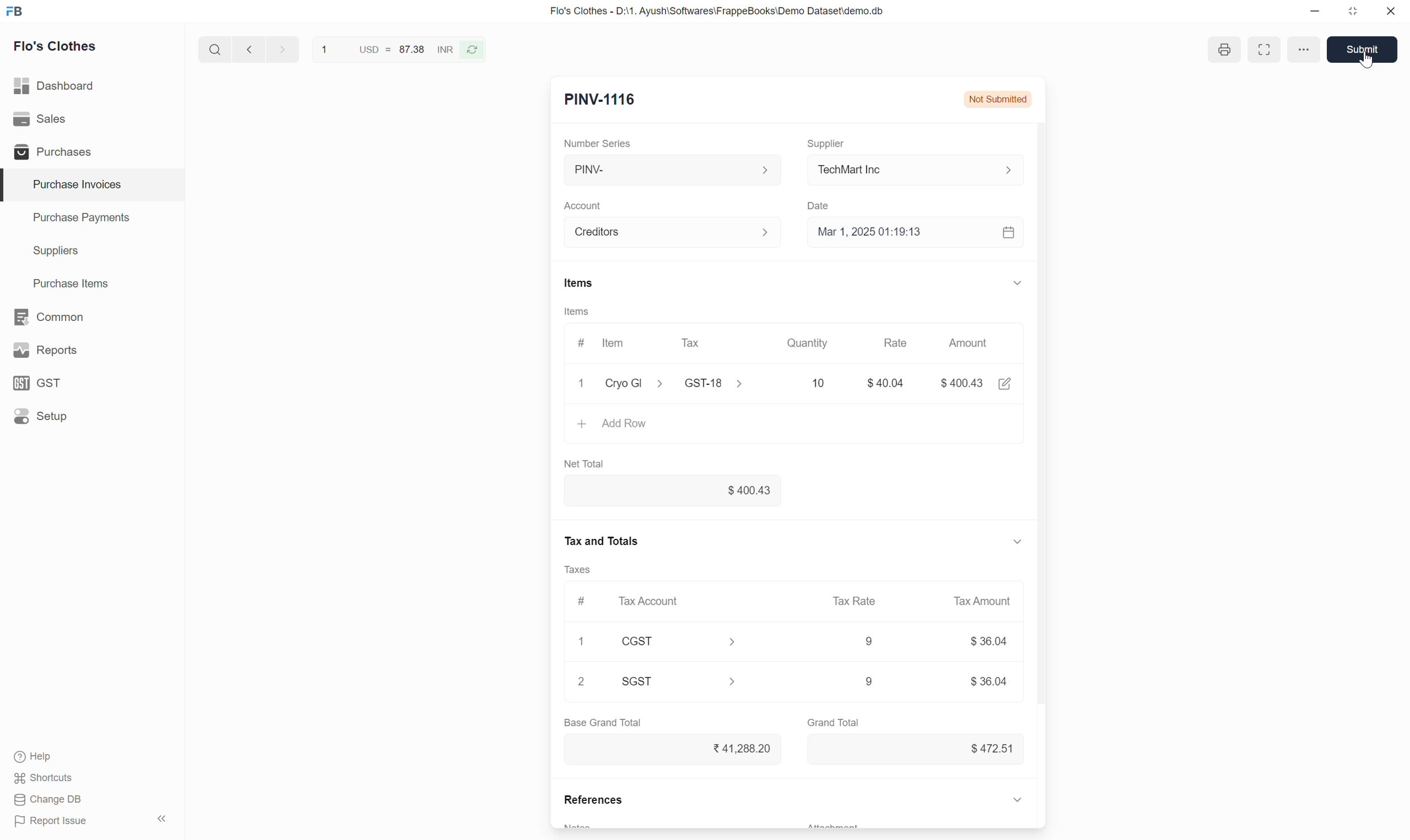  Describe the element at coordinates (55, 83) in the screenshot. I see `Dashboard` at that location.